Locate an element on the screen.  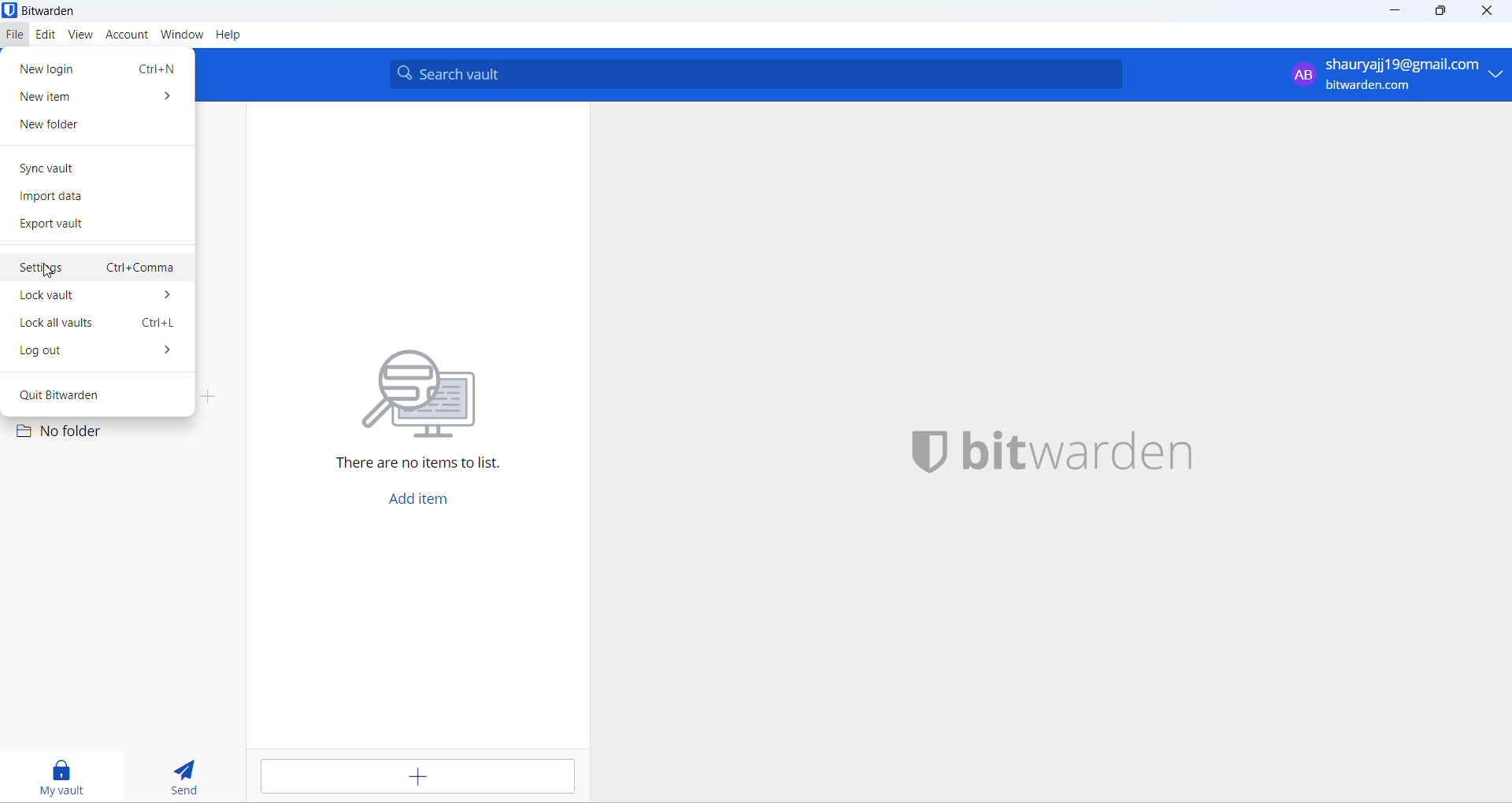
add button is located at coordinates (418, 778).